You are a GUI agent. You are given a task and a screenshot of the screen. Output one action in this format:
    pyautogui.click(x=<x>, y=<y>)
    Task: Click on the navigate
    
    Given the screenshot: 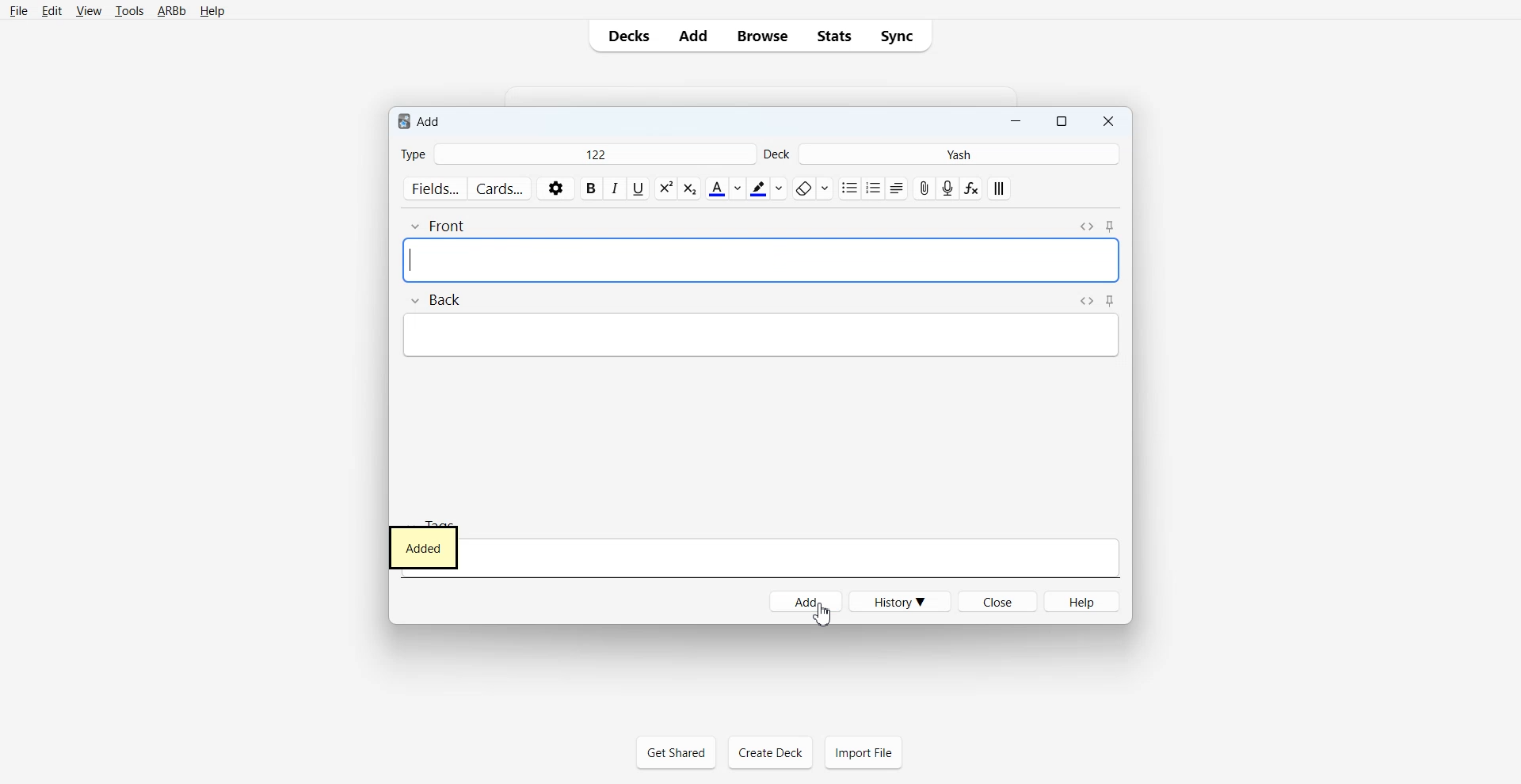 What is the action you would take?
    pyautogui.click(x=1099, y=223)
    